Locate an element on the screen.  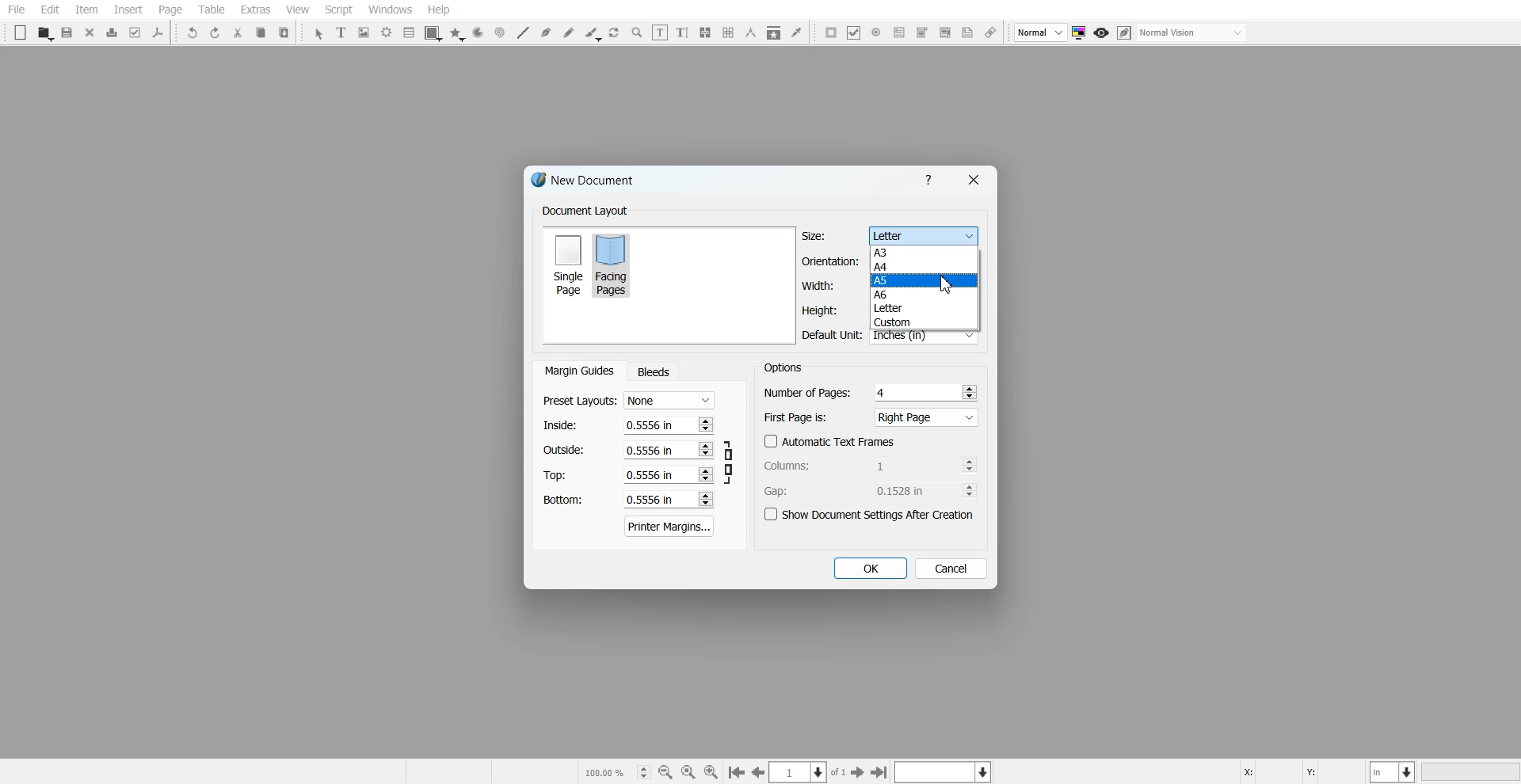
Page is located at coordinates (170, 10).